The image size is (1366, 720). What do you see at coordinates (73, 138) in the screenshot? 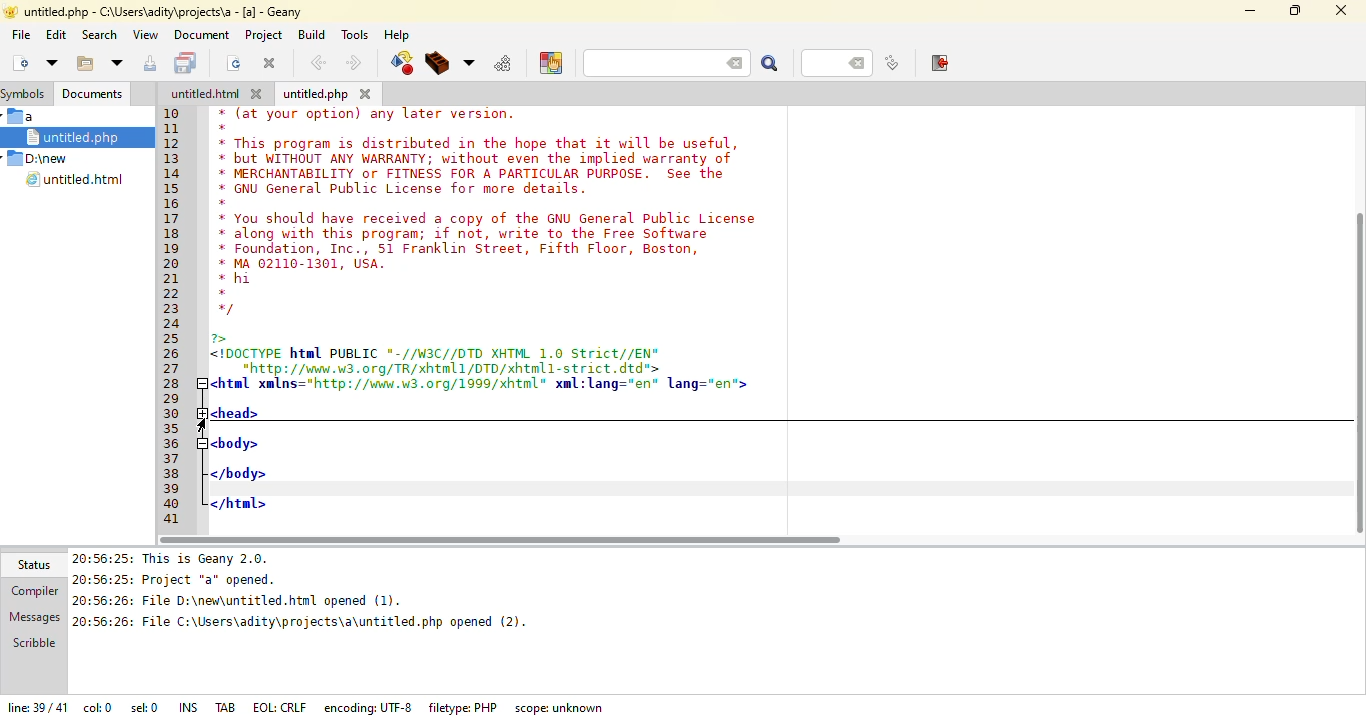
I see `untitled.php` at bounding box center [73, 138].